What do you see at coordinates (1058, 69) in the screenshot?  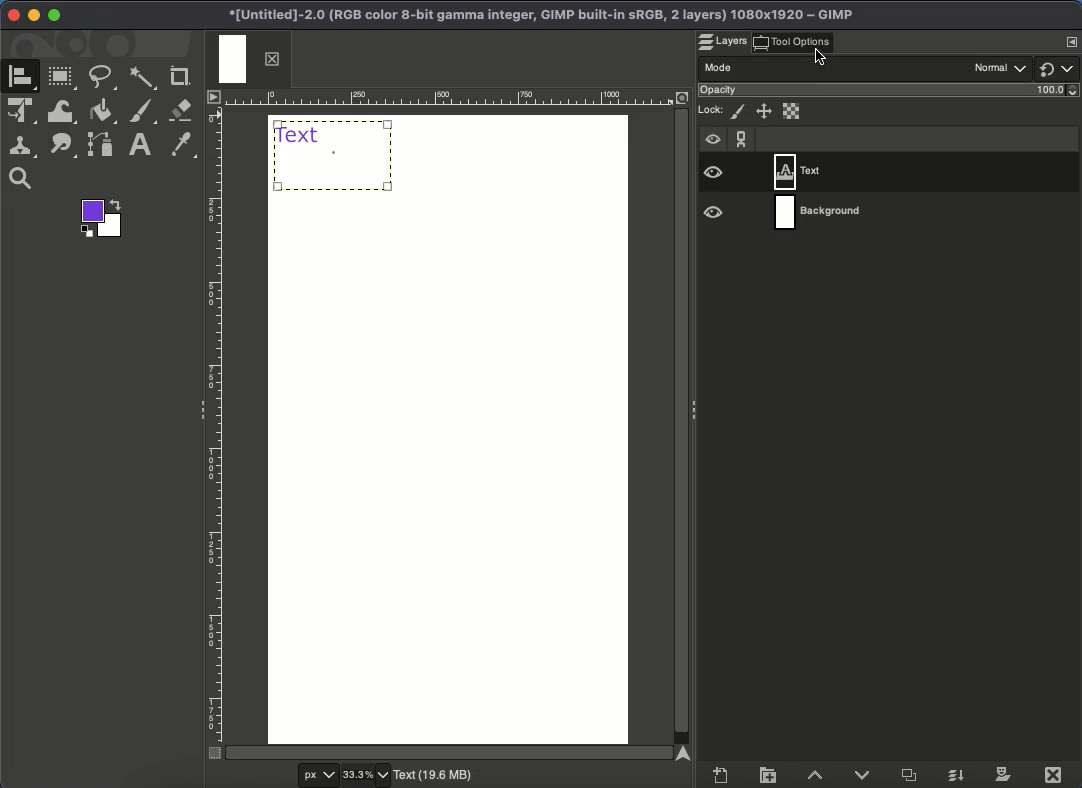 I see `Switch` at bounding box center [1058, 69].